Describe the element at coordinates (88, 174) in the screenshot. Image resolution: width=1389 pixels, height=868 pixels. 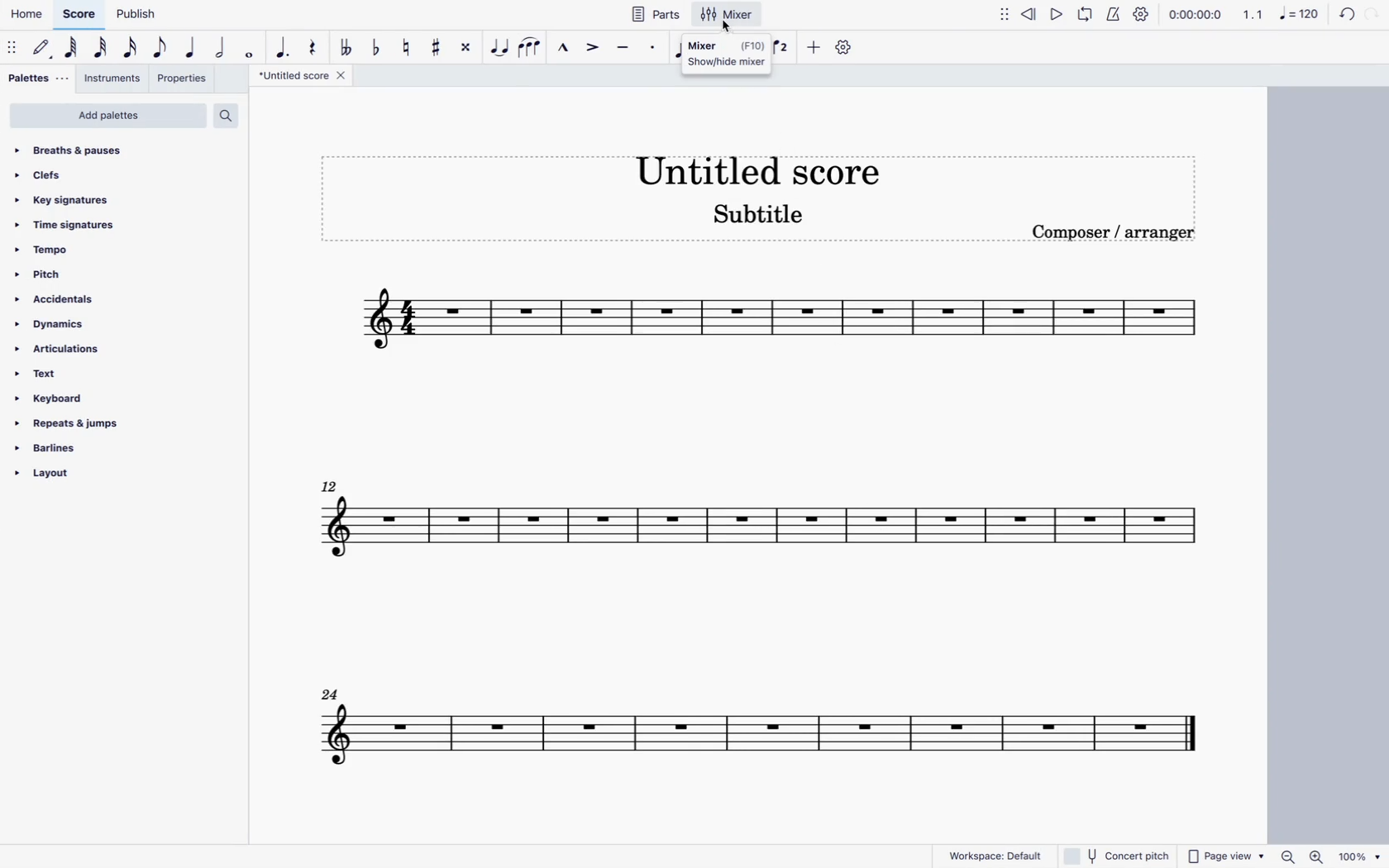
I see `clefs` at that location.